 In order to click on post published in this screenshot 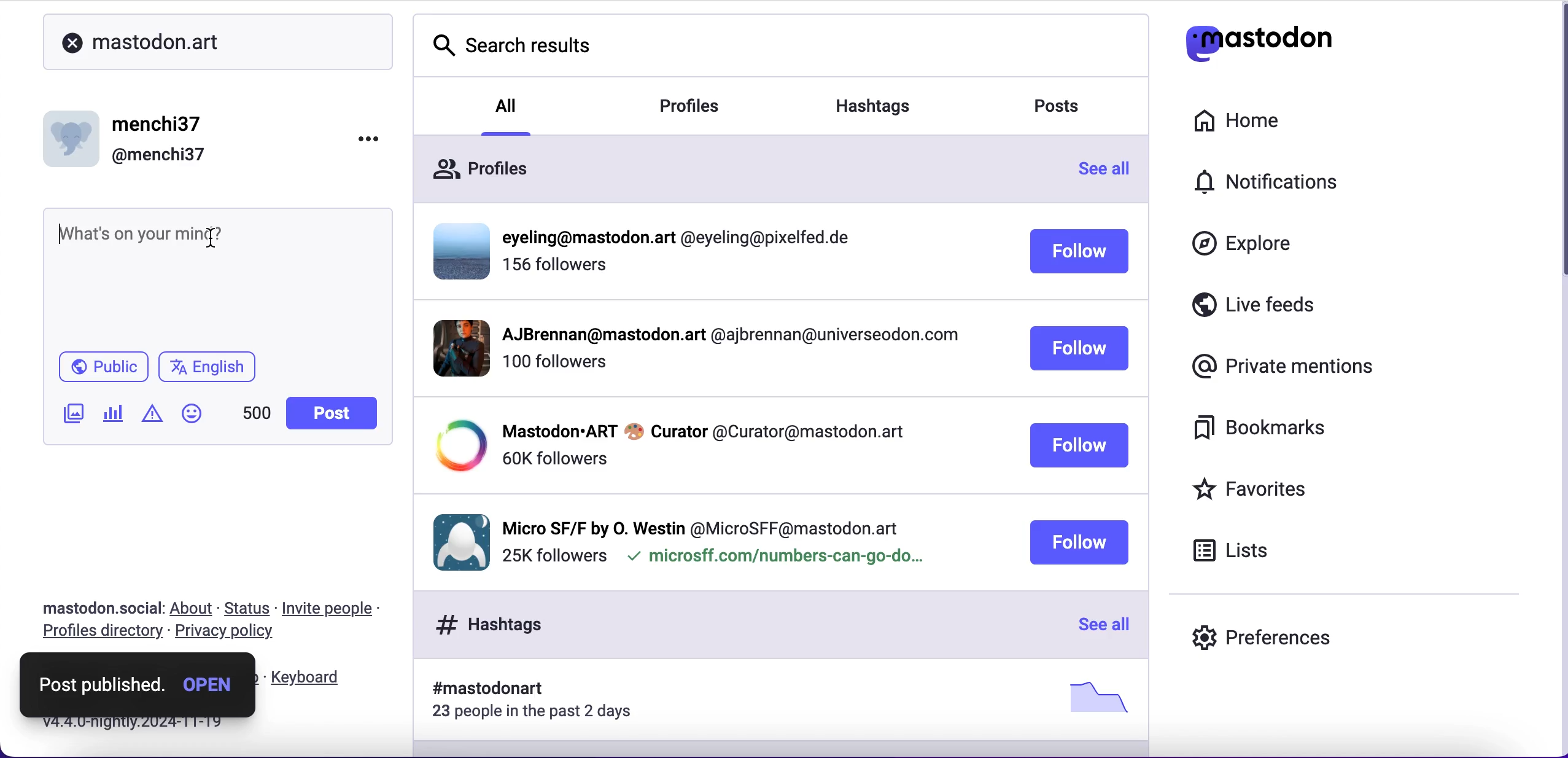, I will do `click(102, 683)`.